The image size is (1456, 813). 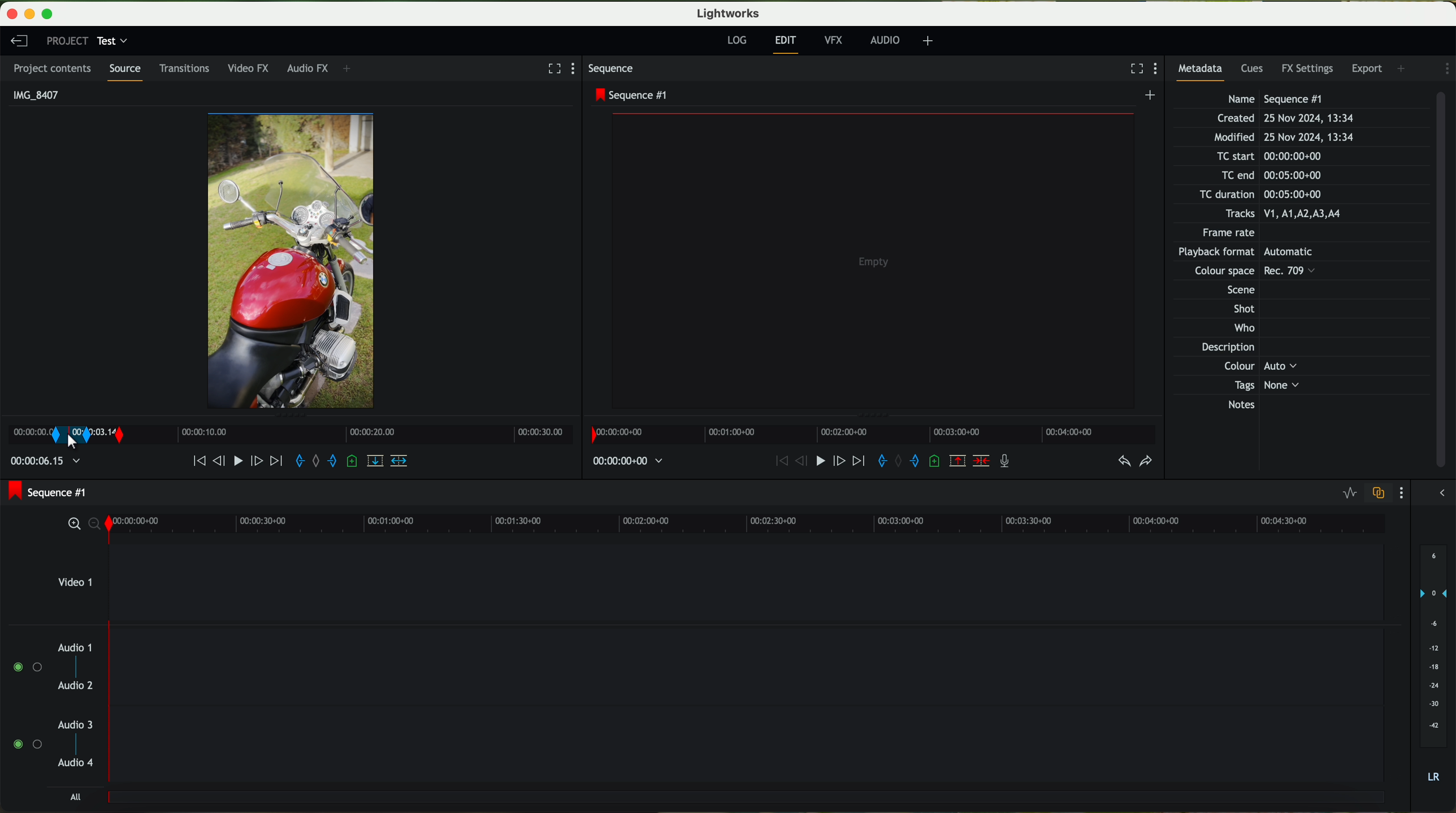 I want to click on audio 1, so click(x=75, y=647).